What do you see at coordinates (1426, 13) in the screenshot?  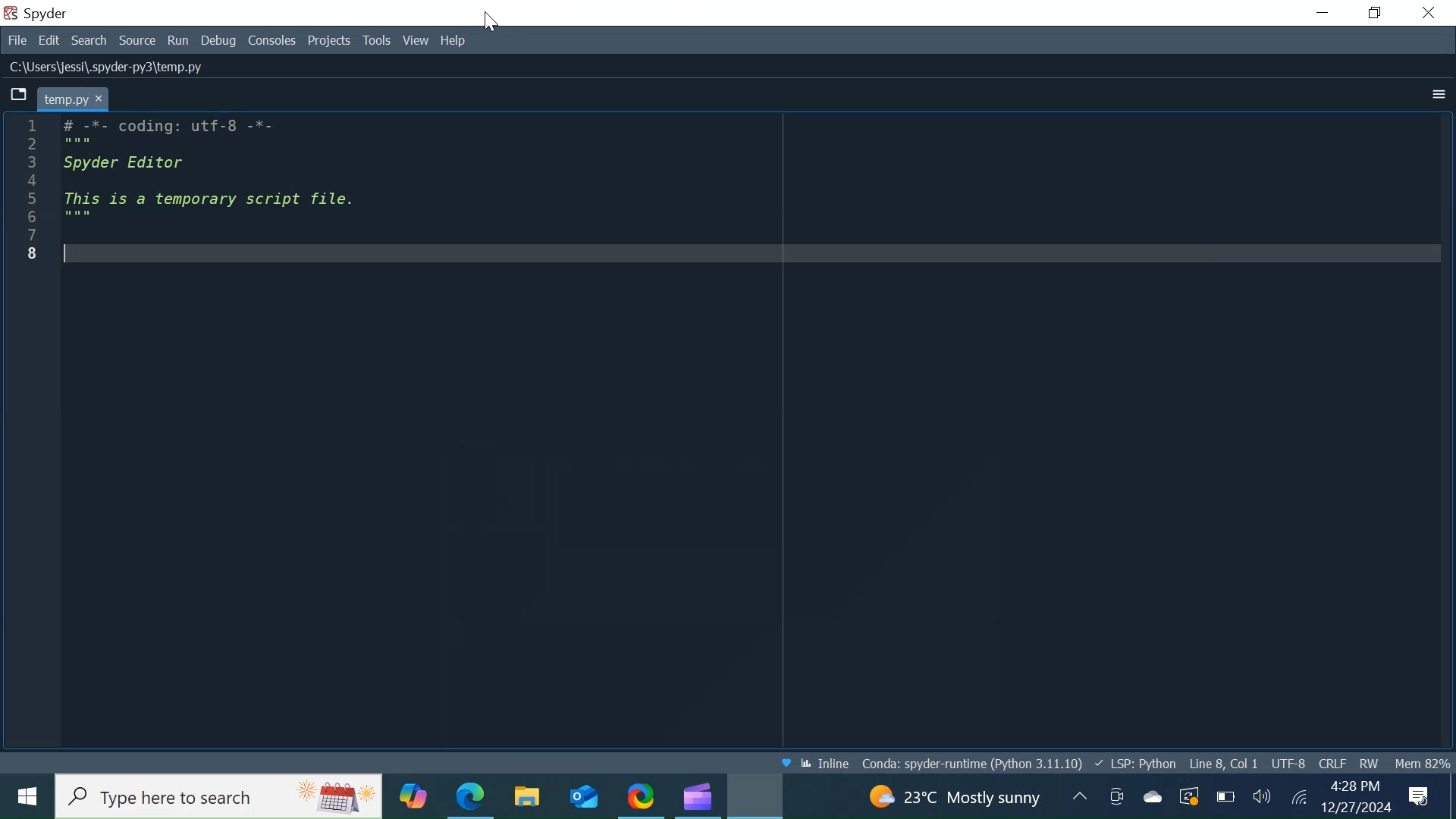 I see `Close` at bounding box center [1426, 13].